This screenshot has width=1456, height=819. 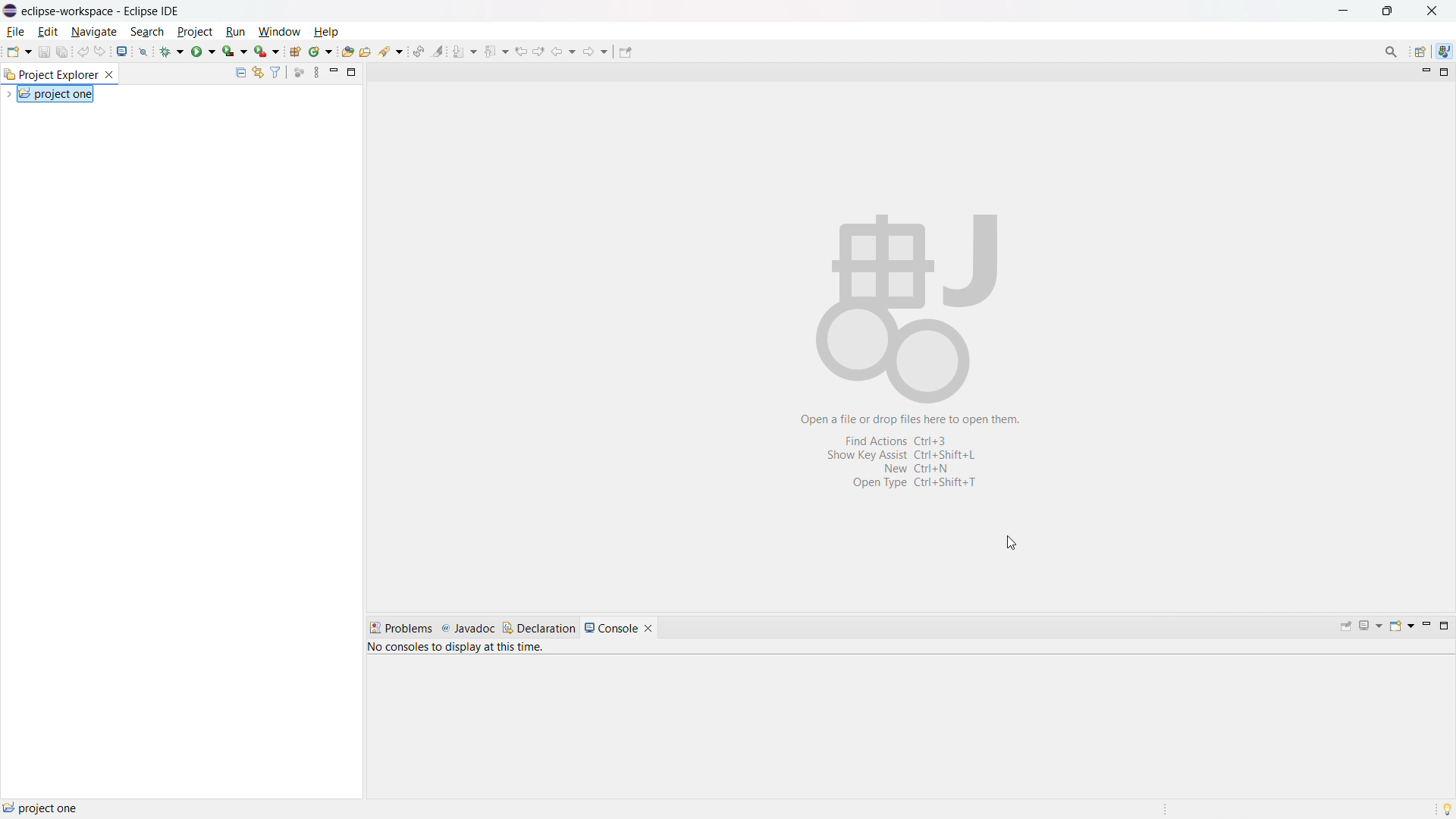 What do you see at coordinates (16, 32) in the screenshot?
I see `file` at bounding box center [16, 32].